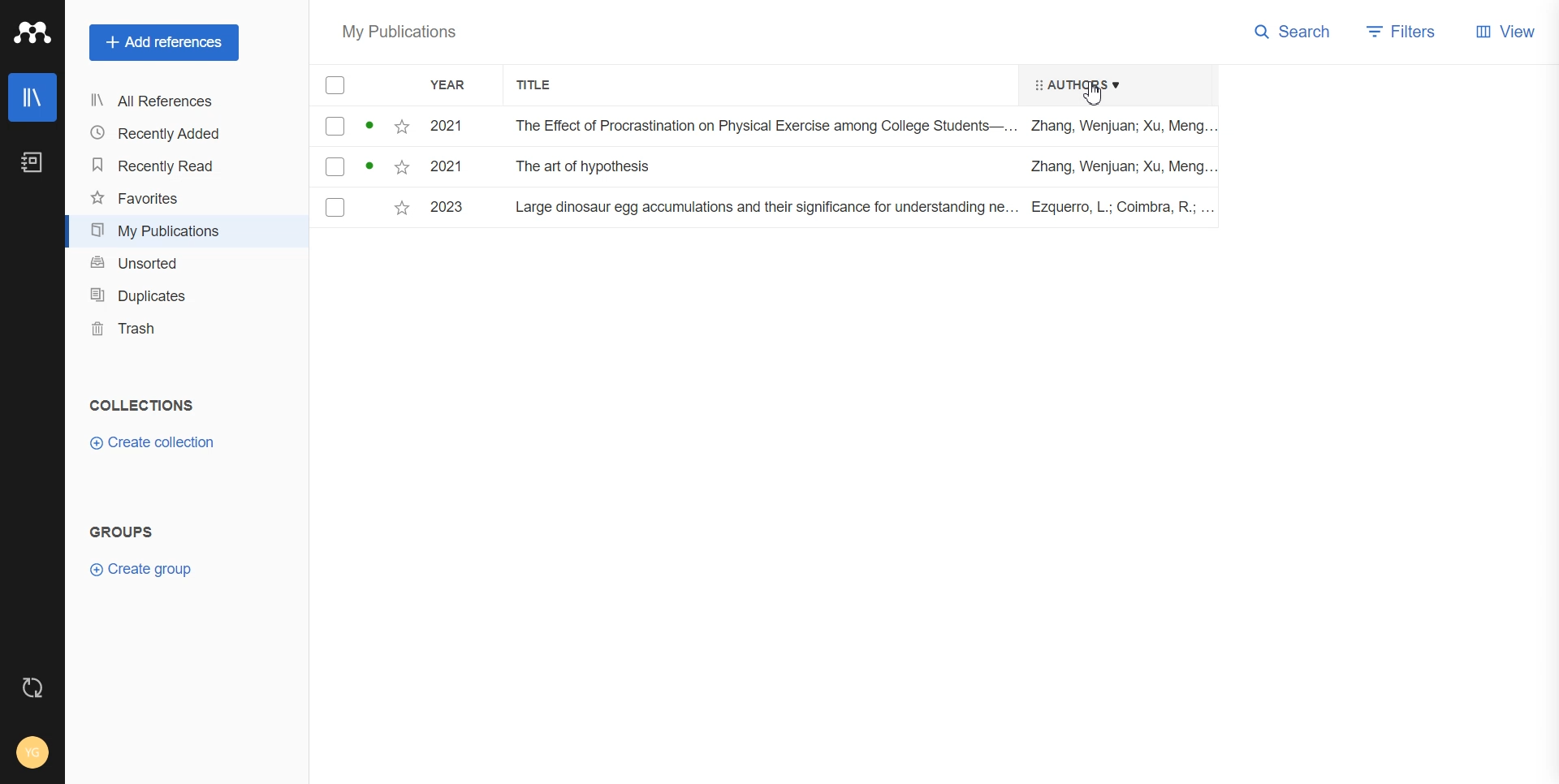  I want to click on Active dot, so click(372, 166).